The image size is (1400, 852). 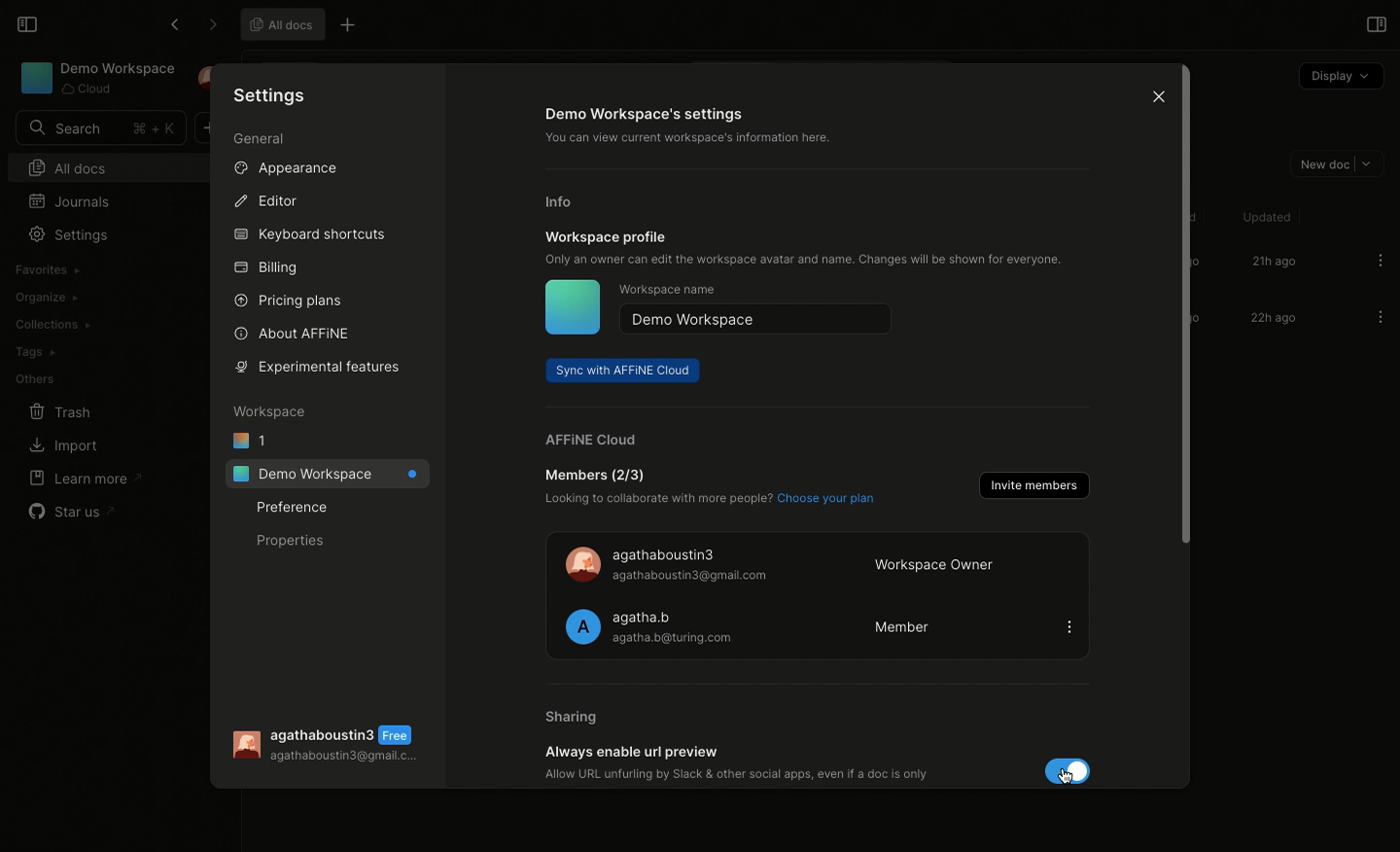 I want to click on Collapse sidebar, so click(x=25, y=22).